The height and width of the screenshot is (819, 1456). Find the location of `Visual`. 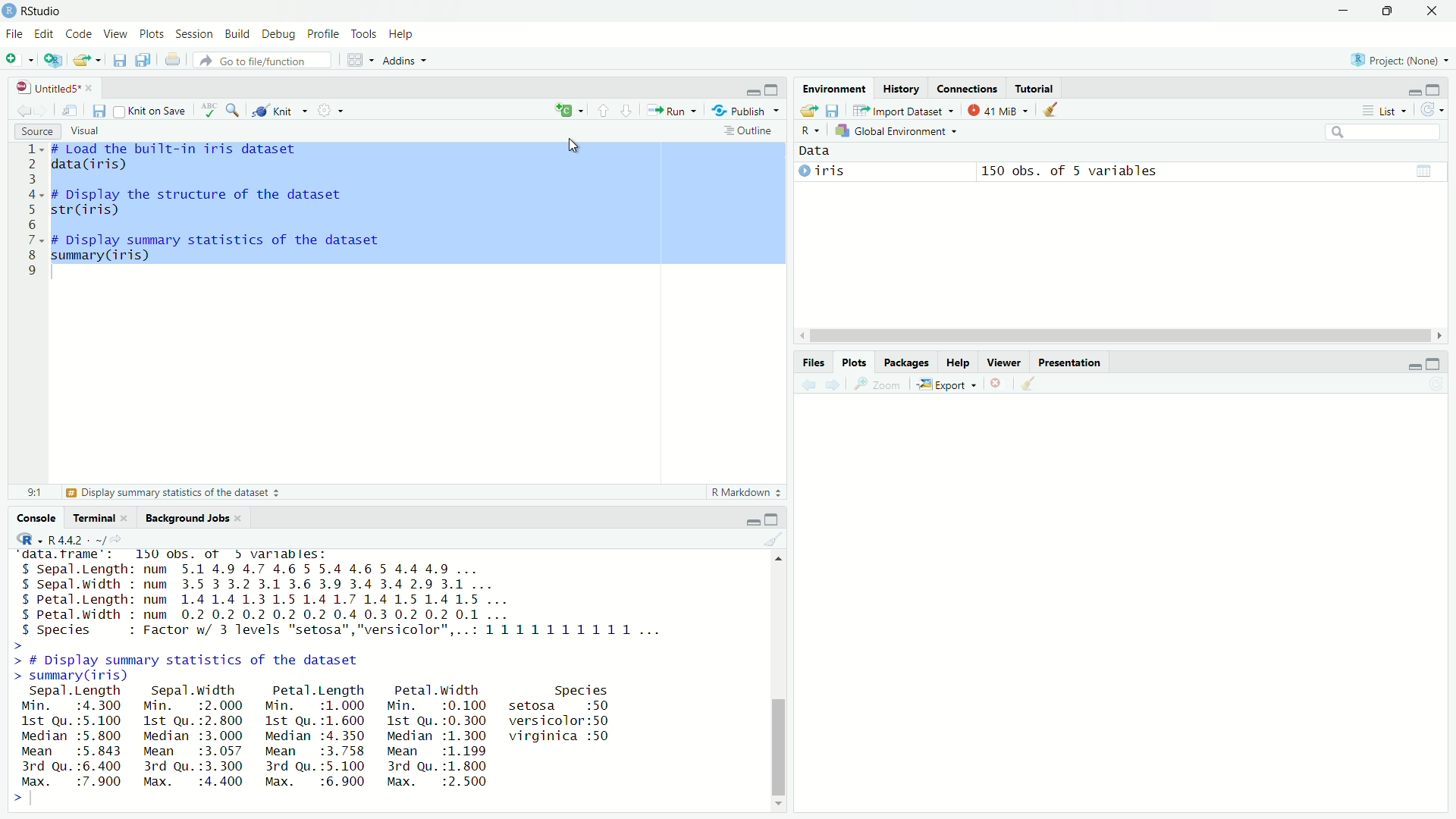

Visual is located at coordinates (86, 131).